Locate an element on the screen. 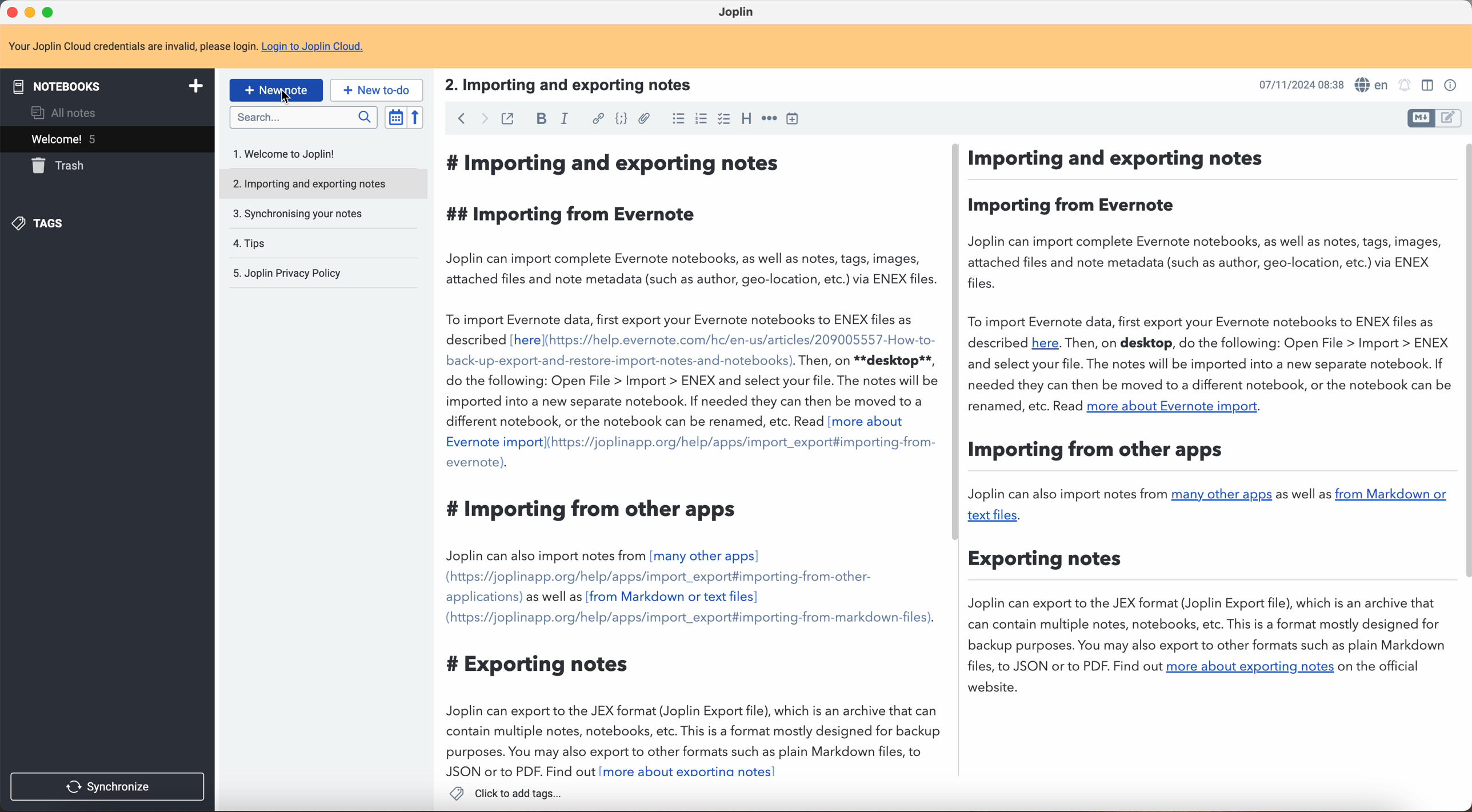 This screenshot has height=812, width=1472. tips is located at coordinates (254, 245).